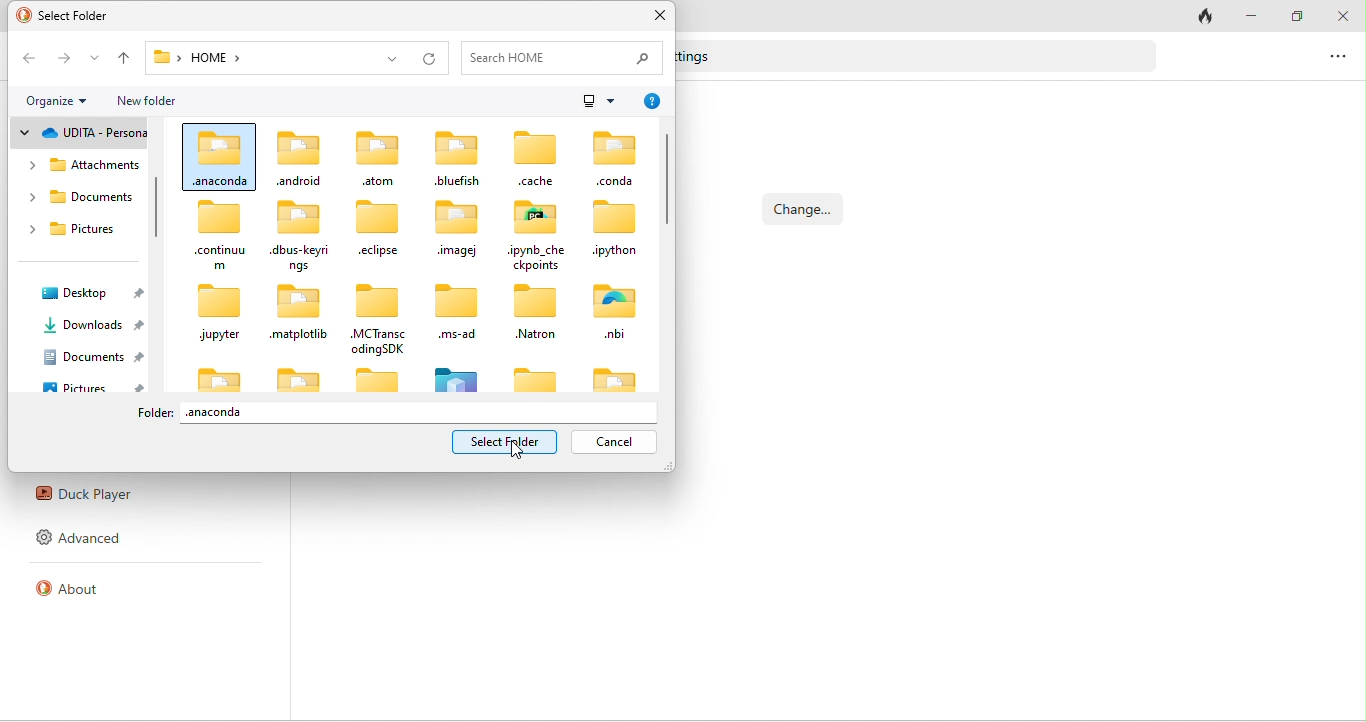  Describe the element at coordinates (221, 315) in the screenshot. I see `.jupyter` at that location.